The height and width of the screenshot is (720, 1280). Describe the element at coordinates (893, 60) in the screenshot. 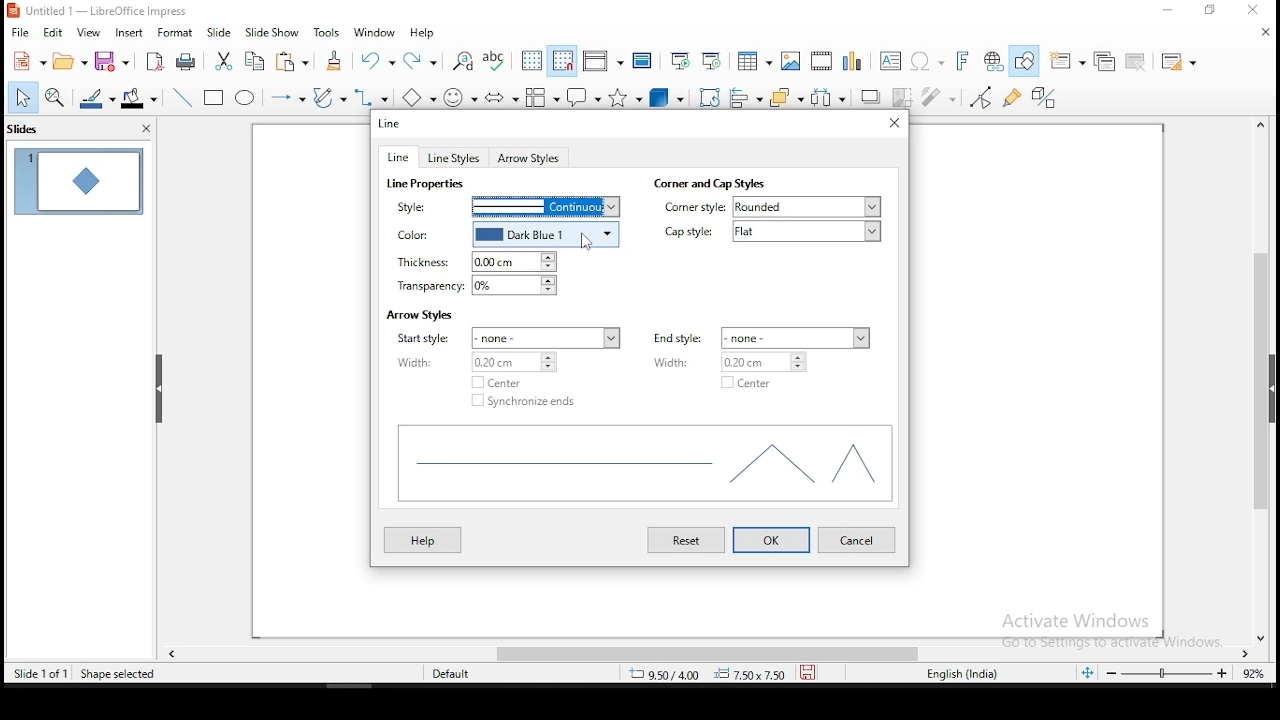

I see `text box` at that location.